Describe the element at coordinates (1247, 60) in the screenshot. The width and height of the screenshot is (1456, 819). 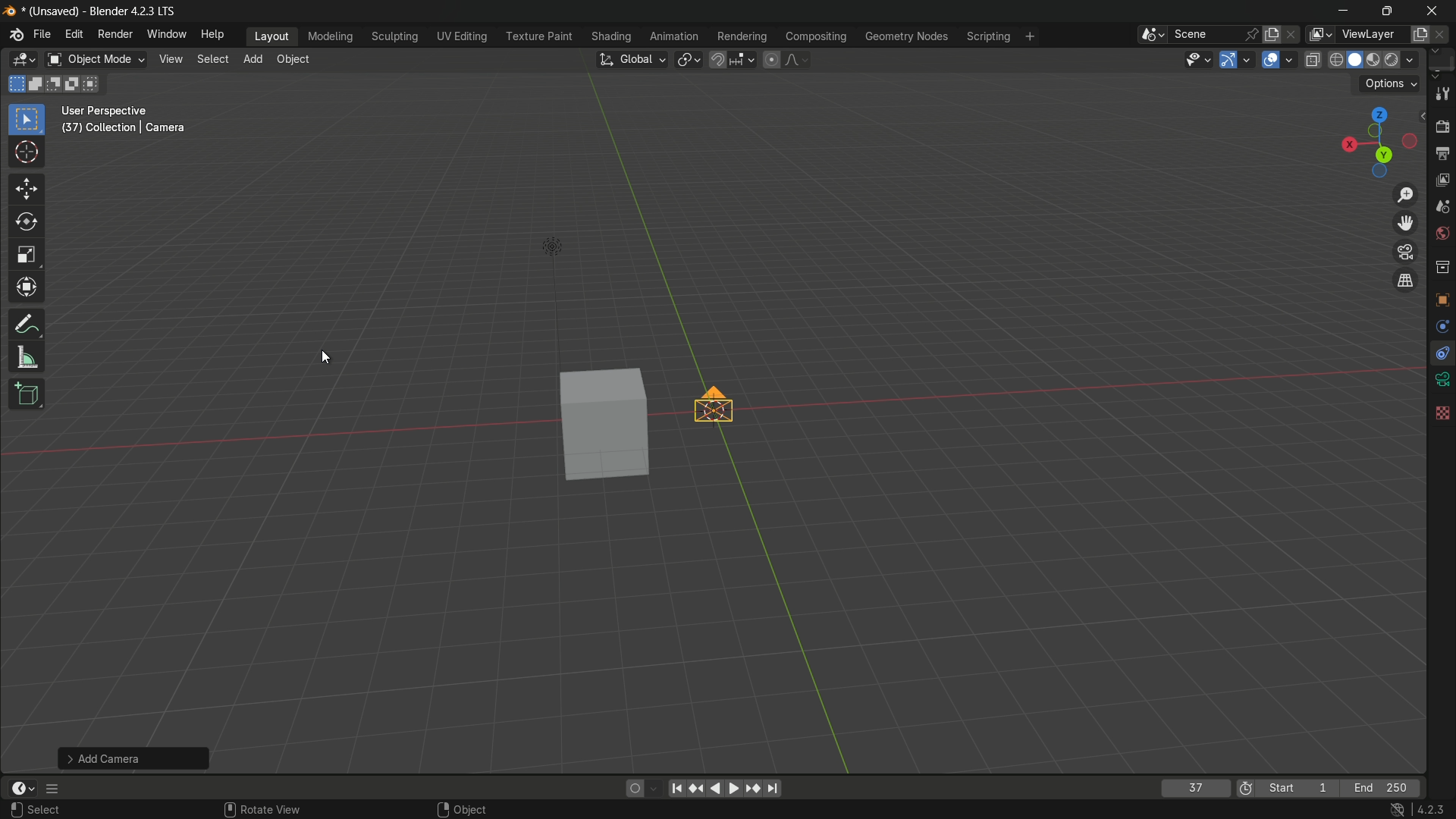
I see `gizmos` at that location.